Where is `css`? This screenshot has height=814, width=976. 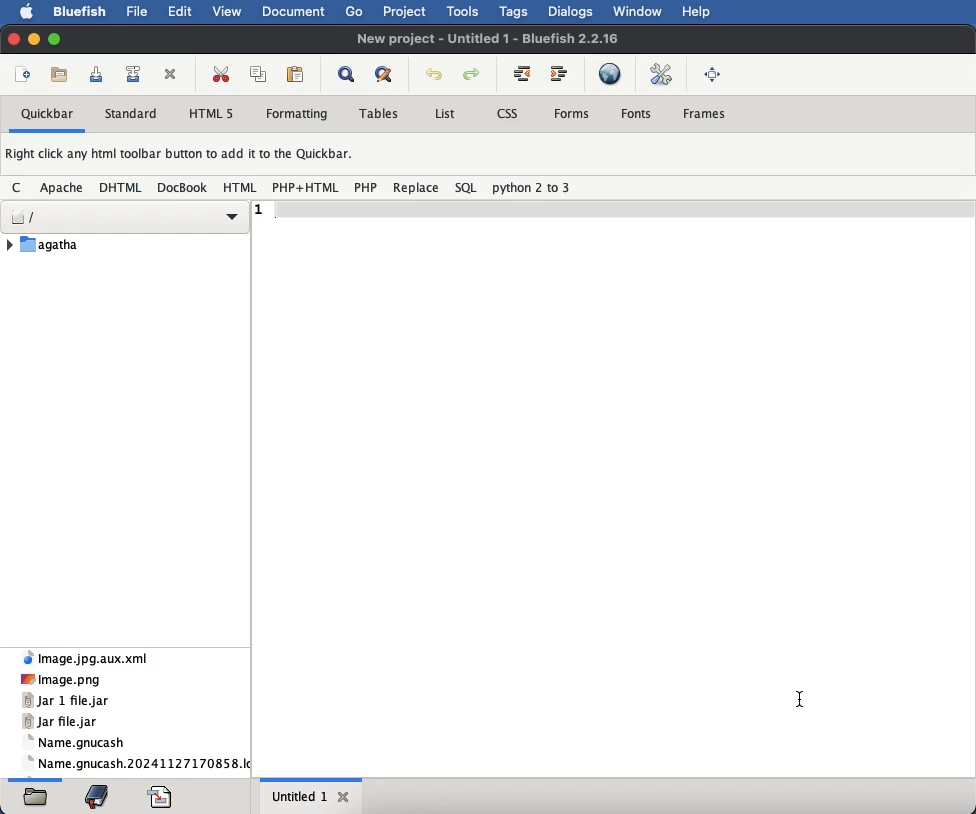
css is located at coordinates (507, 114).